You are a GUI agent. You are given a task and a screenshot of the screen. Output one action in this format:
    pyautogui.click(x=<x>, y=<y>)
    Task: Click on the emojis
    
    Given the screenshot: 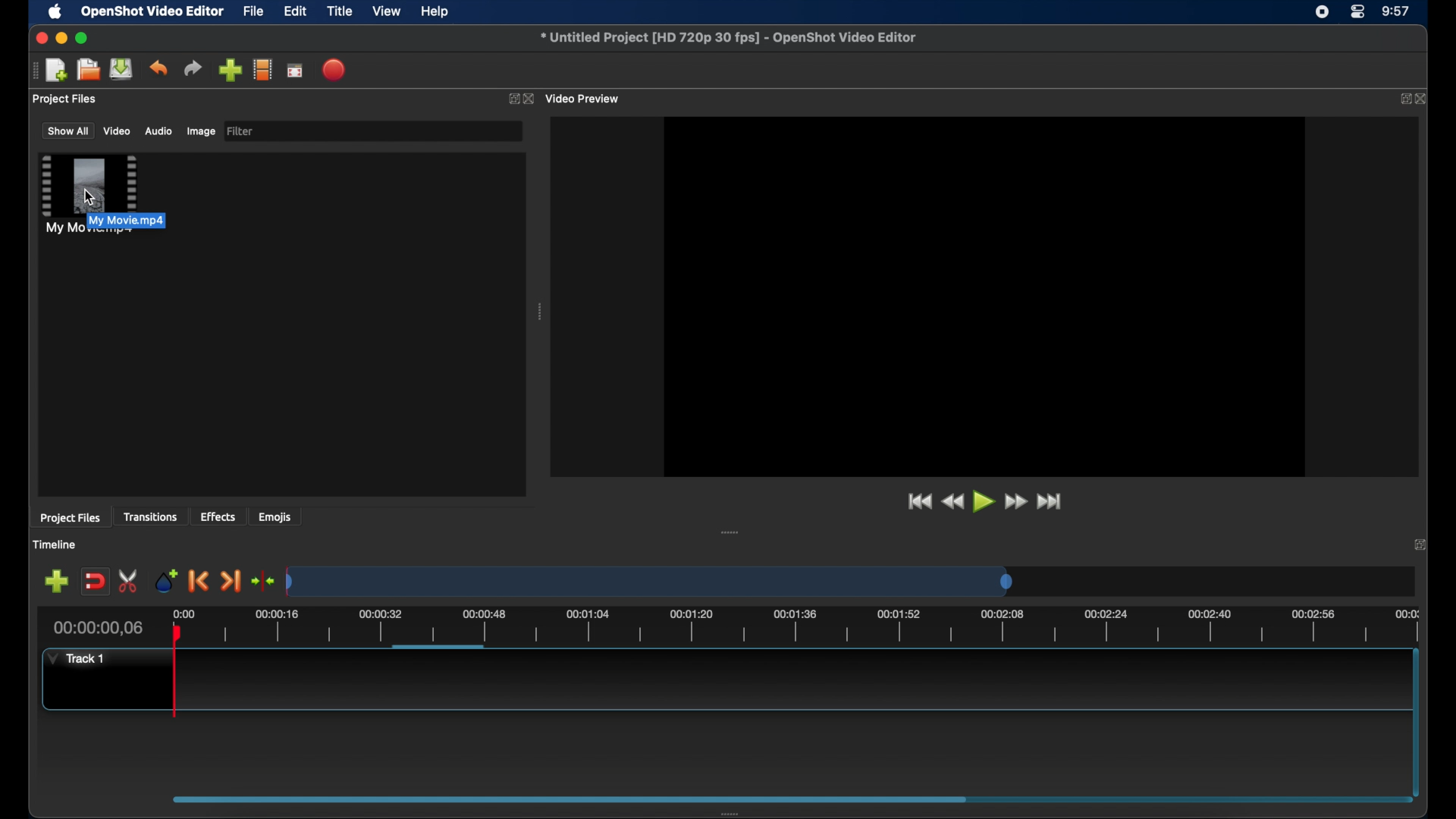 What is the action you would take?
    pyautogui.click(x=275, y=516)
    